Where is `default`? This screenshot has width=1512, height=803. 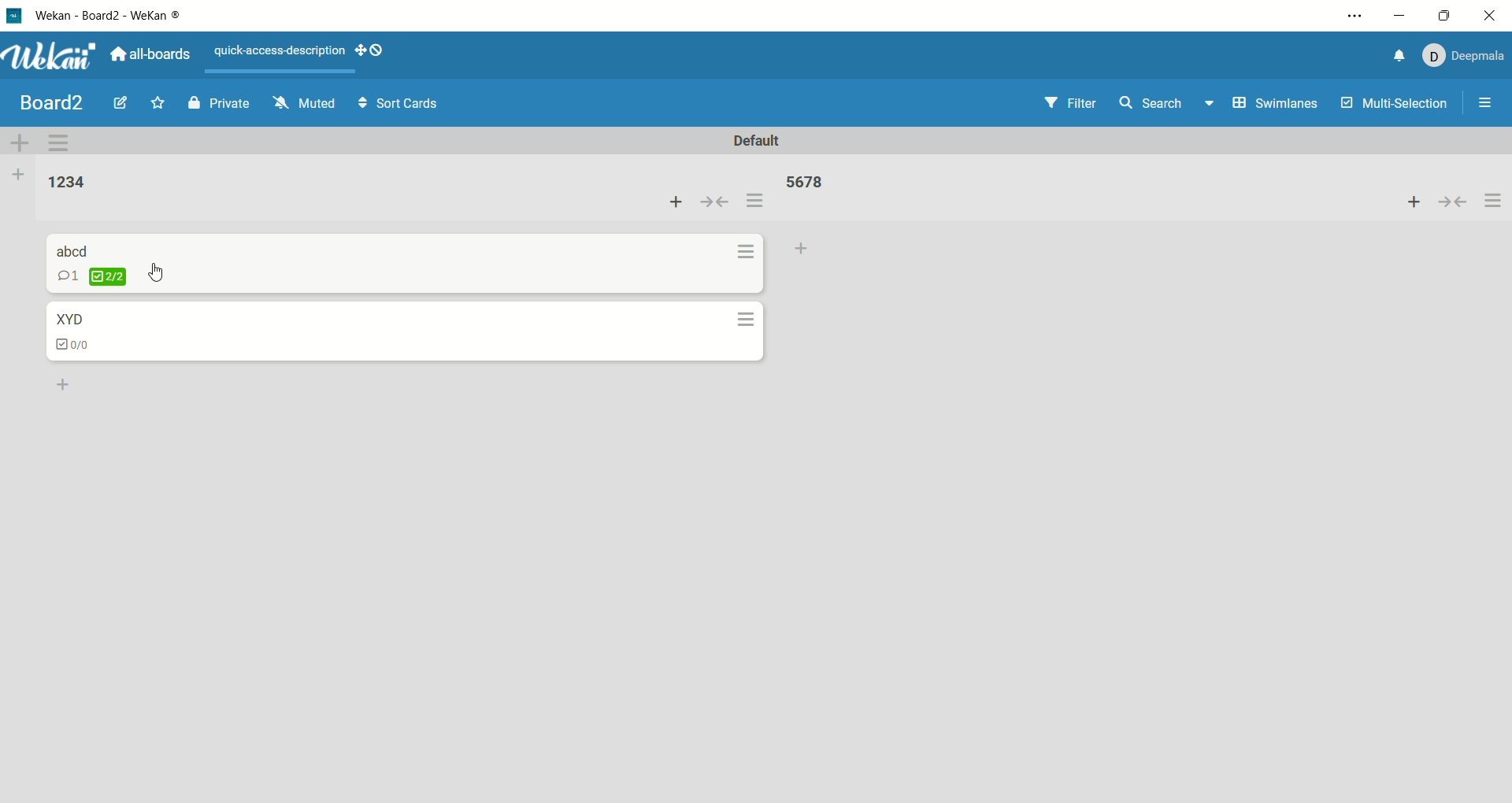
default is located at coordinates (764, 142).